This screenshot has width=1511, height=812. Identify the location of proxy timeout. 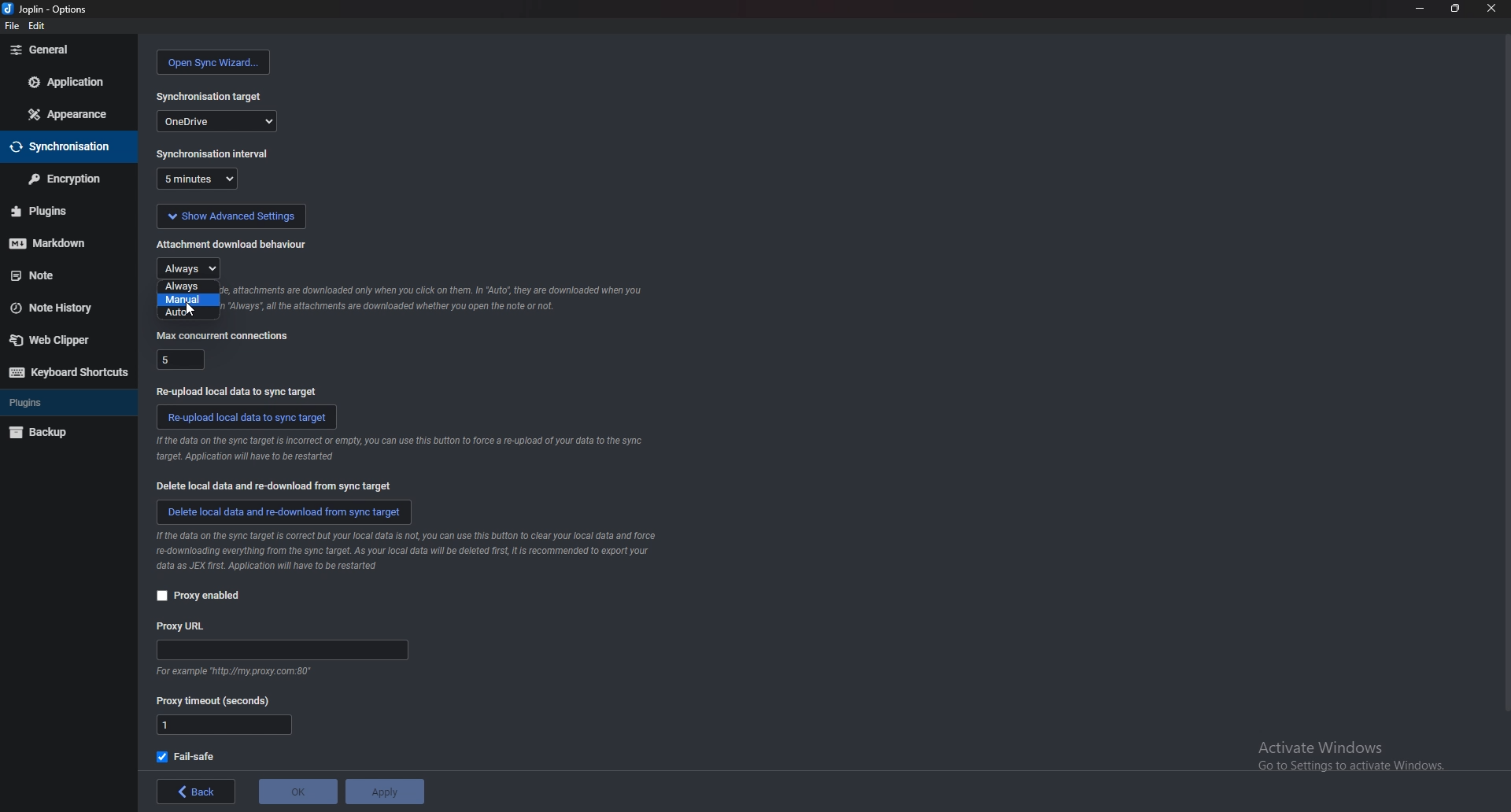
(214, 702).